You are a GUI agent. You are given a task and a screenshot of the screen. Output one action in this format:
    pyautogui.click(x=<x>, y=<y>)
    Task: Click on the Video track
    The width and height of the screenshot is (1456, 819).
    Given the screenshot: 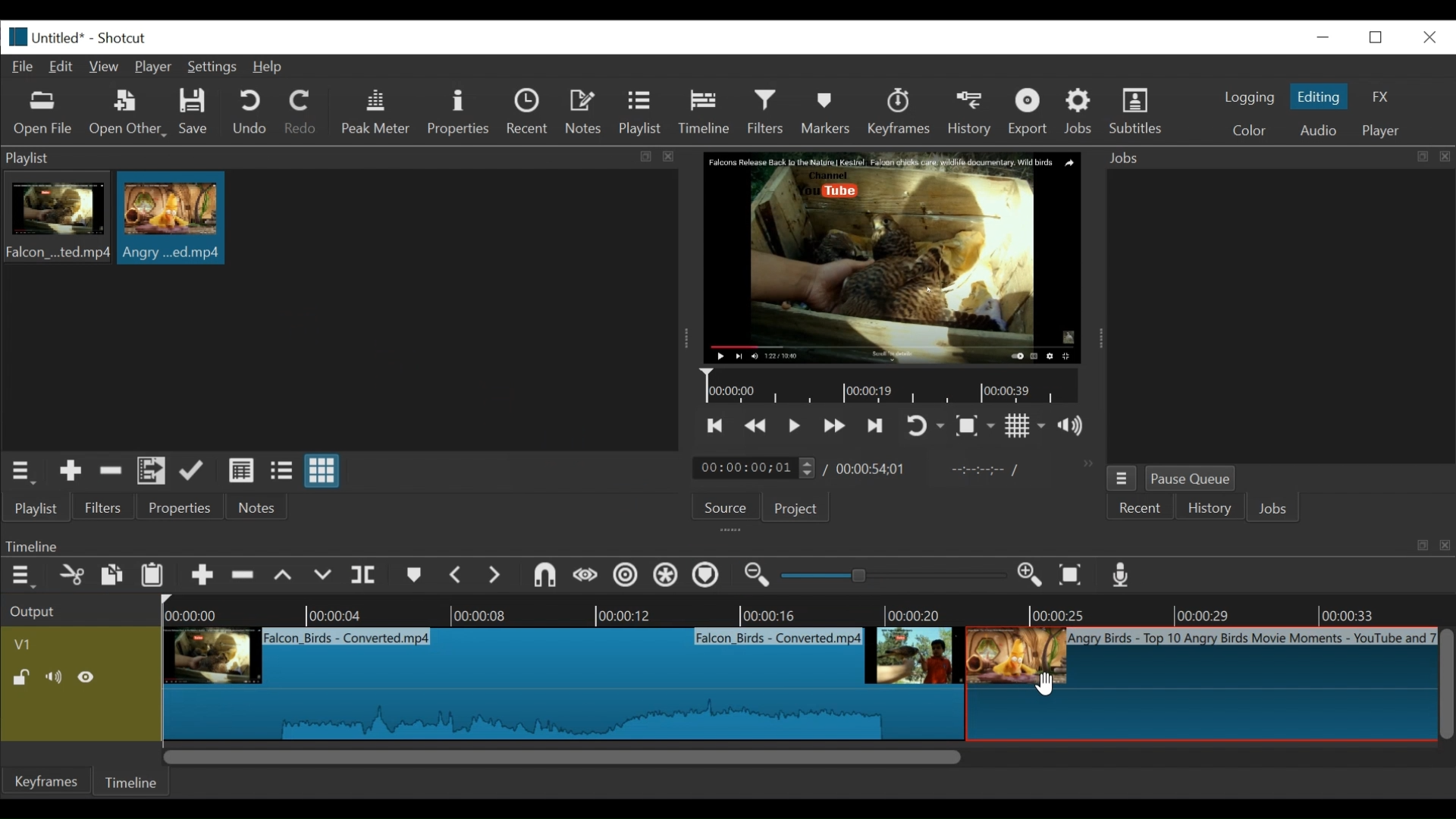 What is the action you would take?
    pyautogui.click(x=81, y=644)
    